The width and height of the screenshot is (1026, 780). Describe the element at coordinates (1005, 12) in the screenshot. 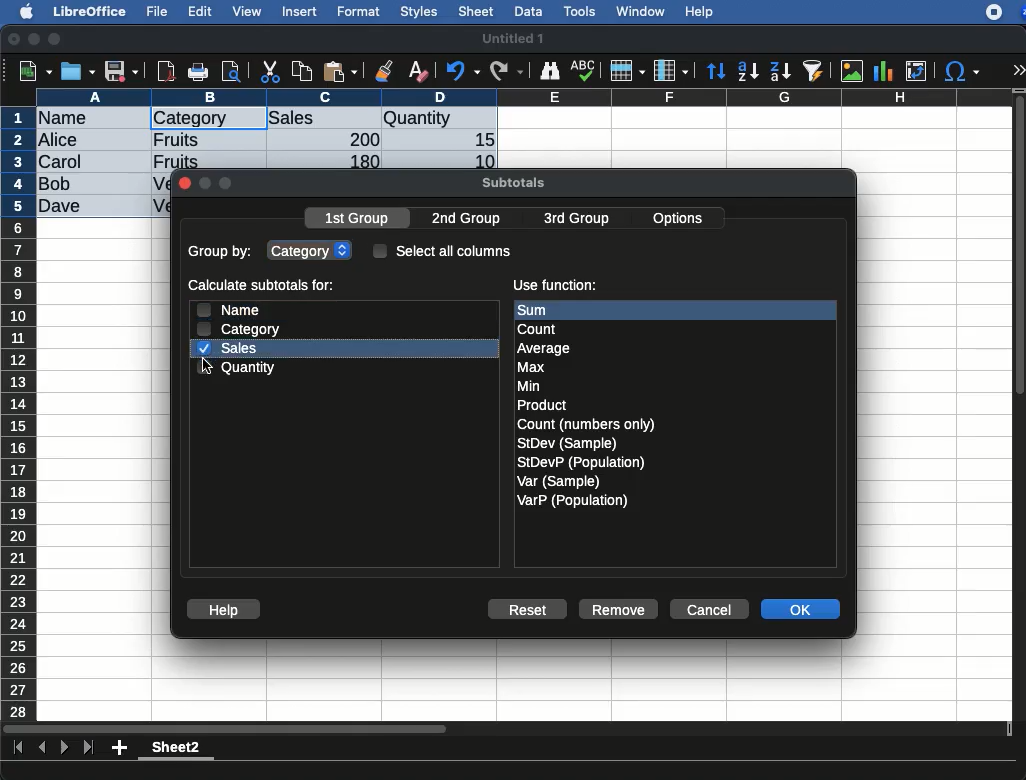

I see `extensions` at that location.